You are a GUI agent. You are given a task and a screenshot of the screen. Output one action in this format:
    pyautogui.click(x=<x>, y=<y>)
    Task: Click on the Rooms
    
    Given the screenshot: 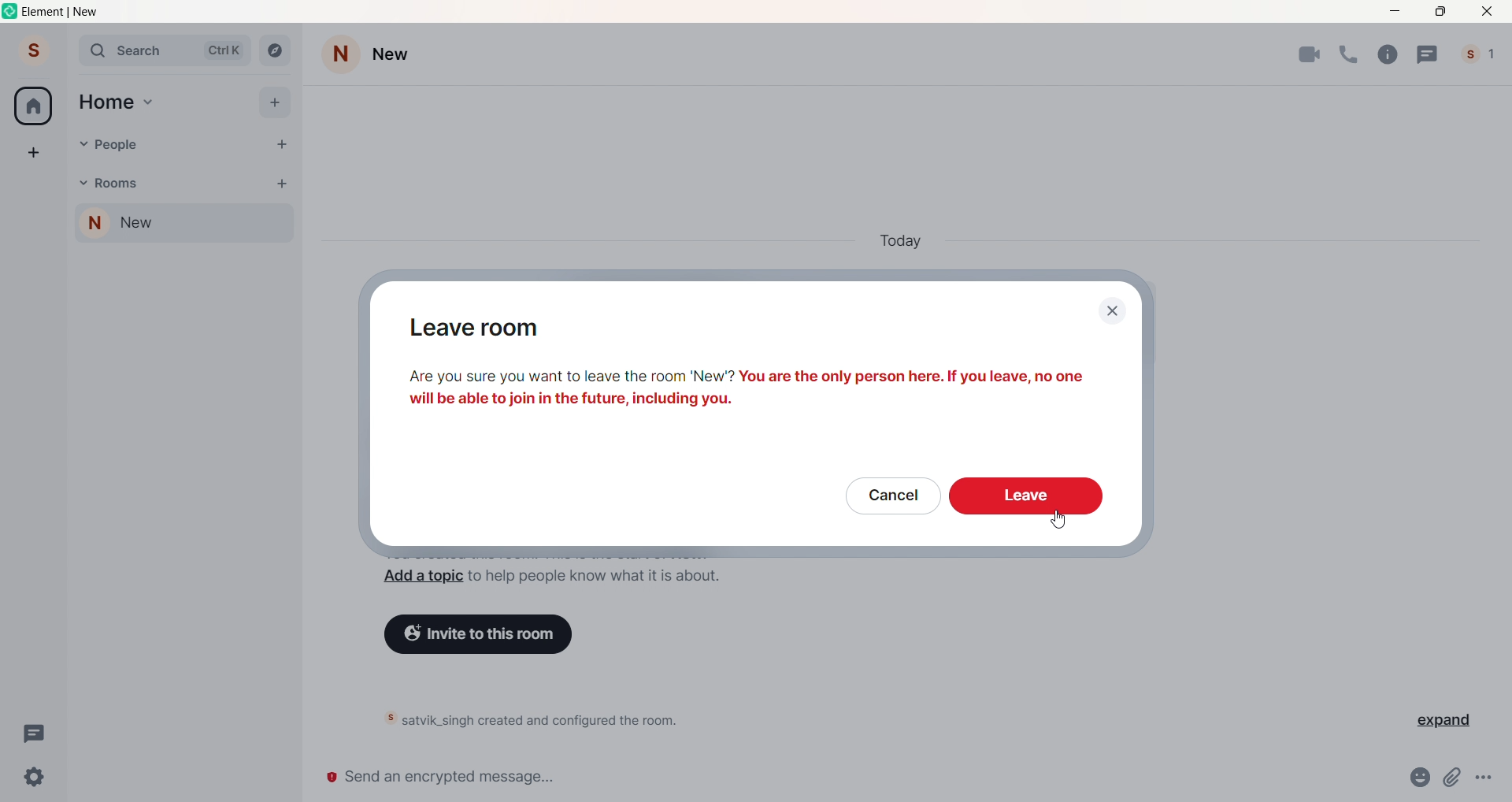 What is the action you would take?
    pyautogui.click(x=121, y=183)
    